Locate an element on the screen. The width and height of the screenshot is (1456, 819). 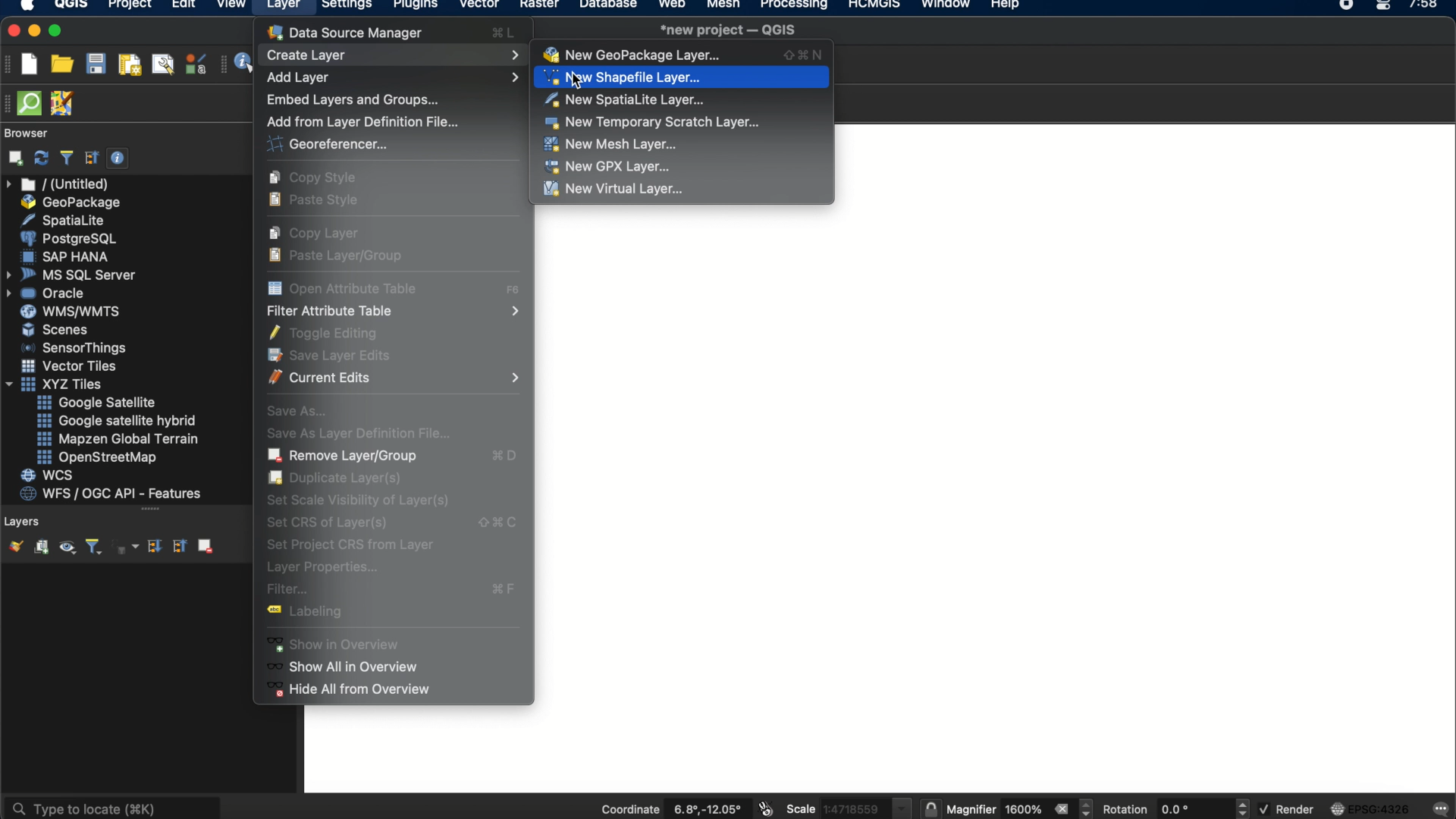
ms sql server is located at coordinates (74, 274).